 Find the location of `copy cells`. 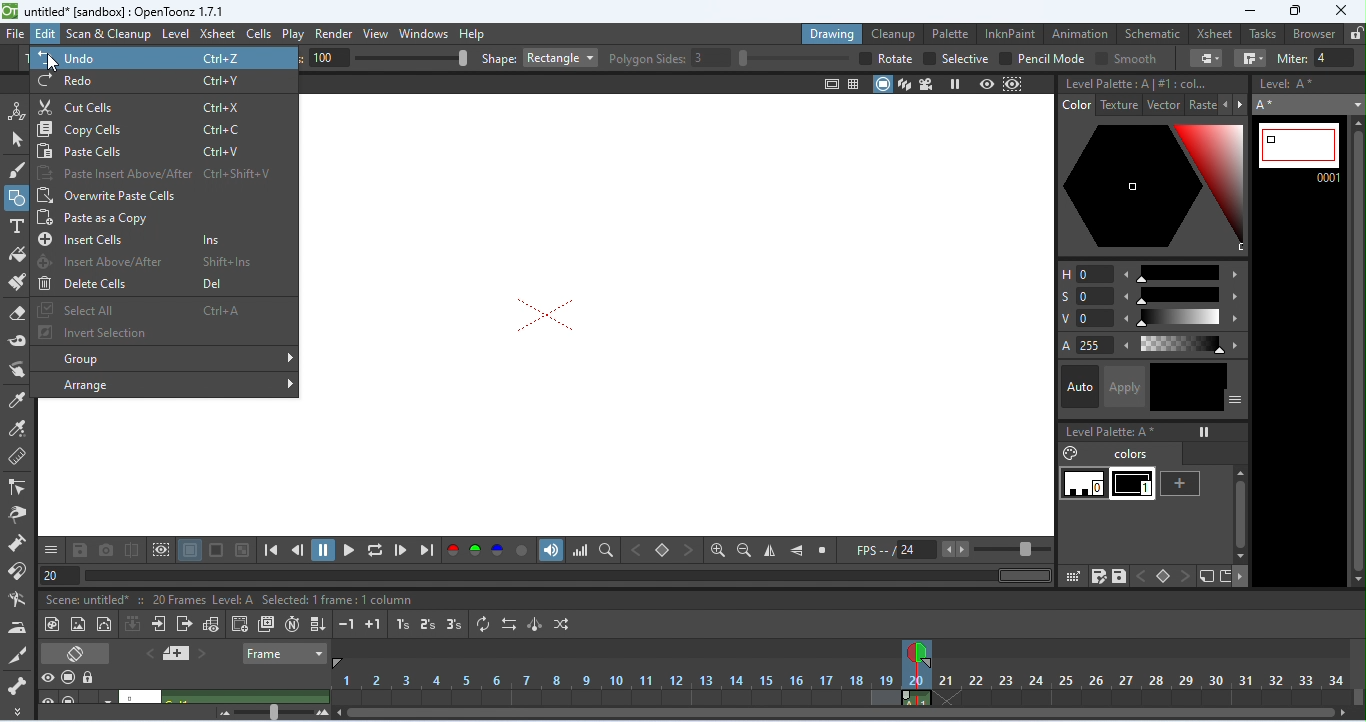

copy cells is located at coordinates (163, 129).